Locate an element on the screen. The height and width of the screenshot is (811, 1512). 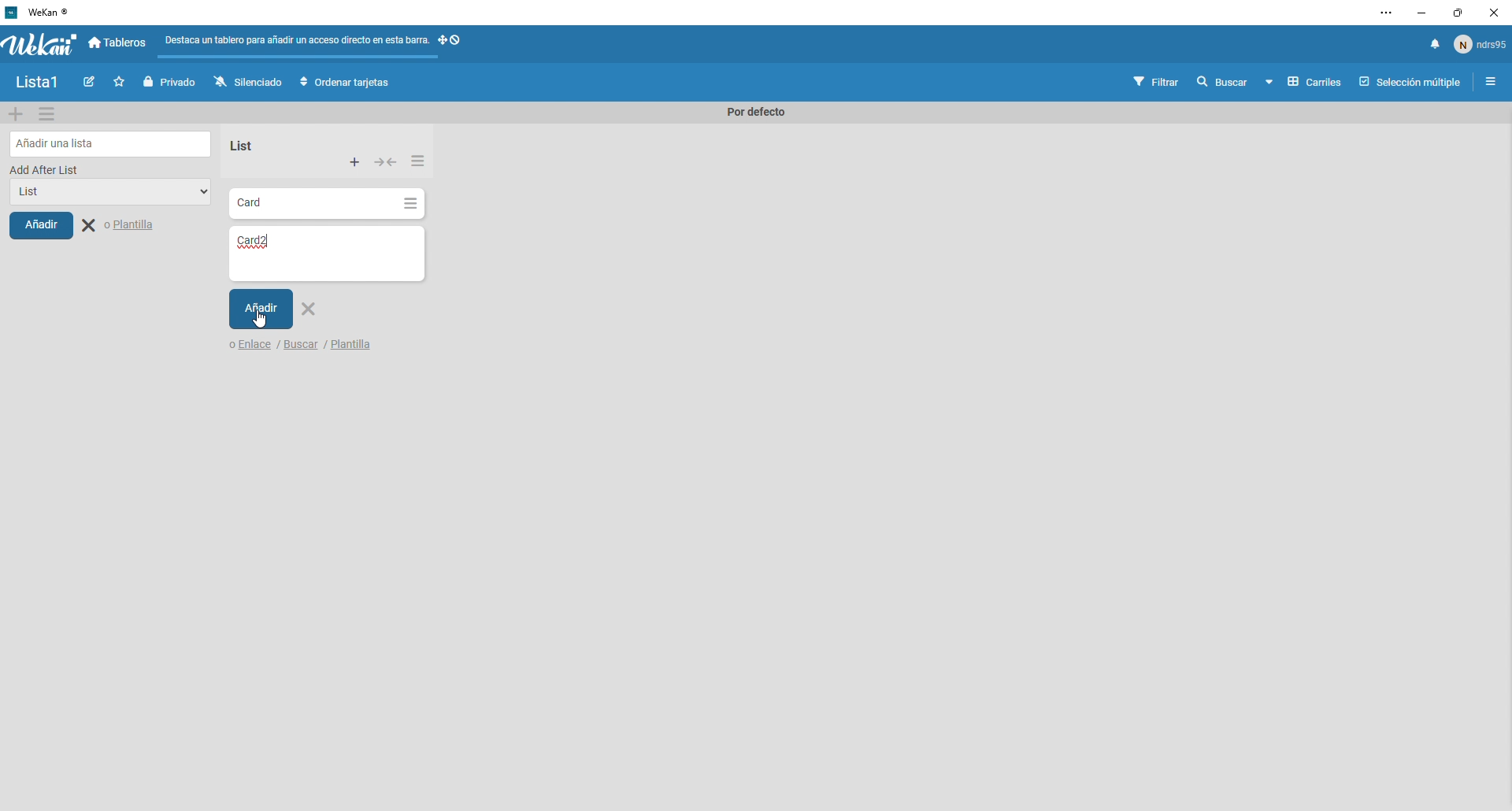
card name is located at coordinates (274, 245).